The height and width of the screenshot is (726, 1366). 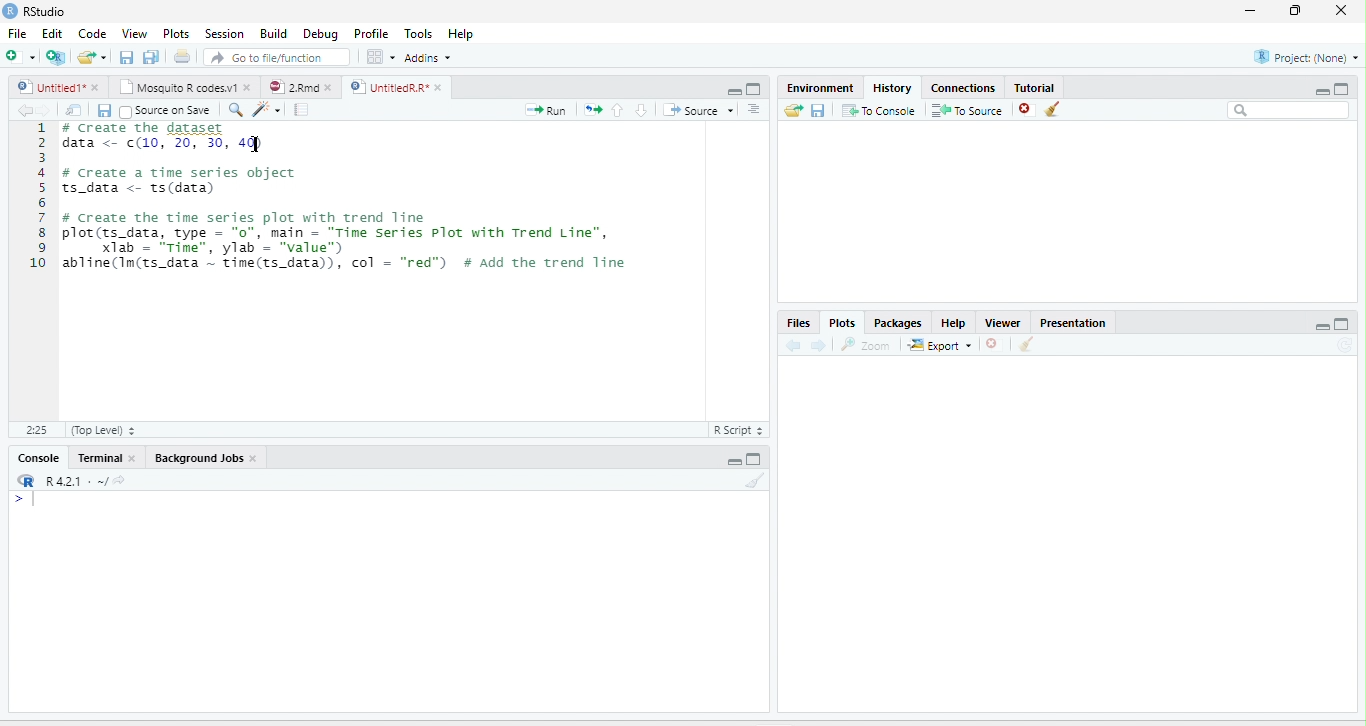 What do you see at coordinates (104, 57) in the screenshot?
I see `Open recent files` at bounding box center [104, 57].